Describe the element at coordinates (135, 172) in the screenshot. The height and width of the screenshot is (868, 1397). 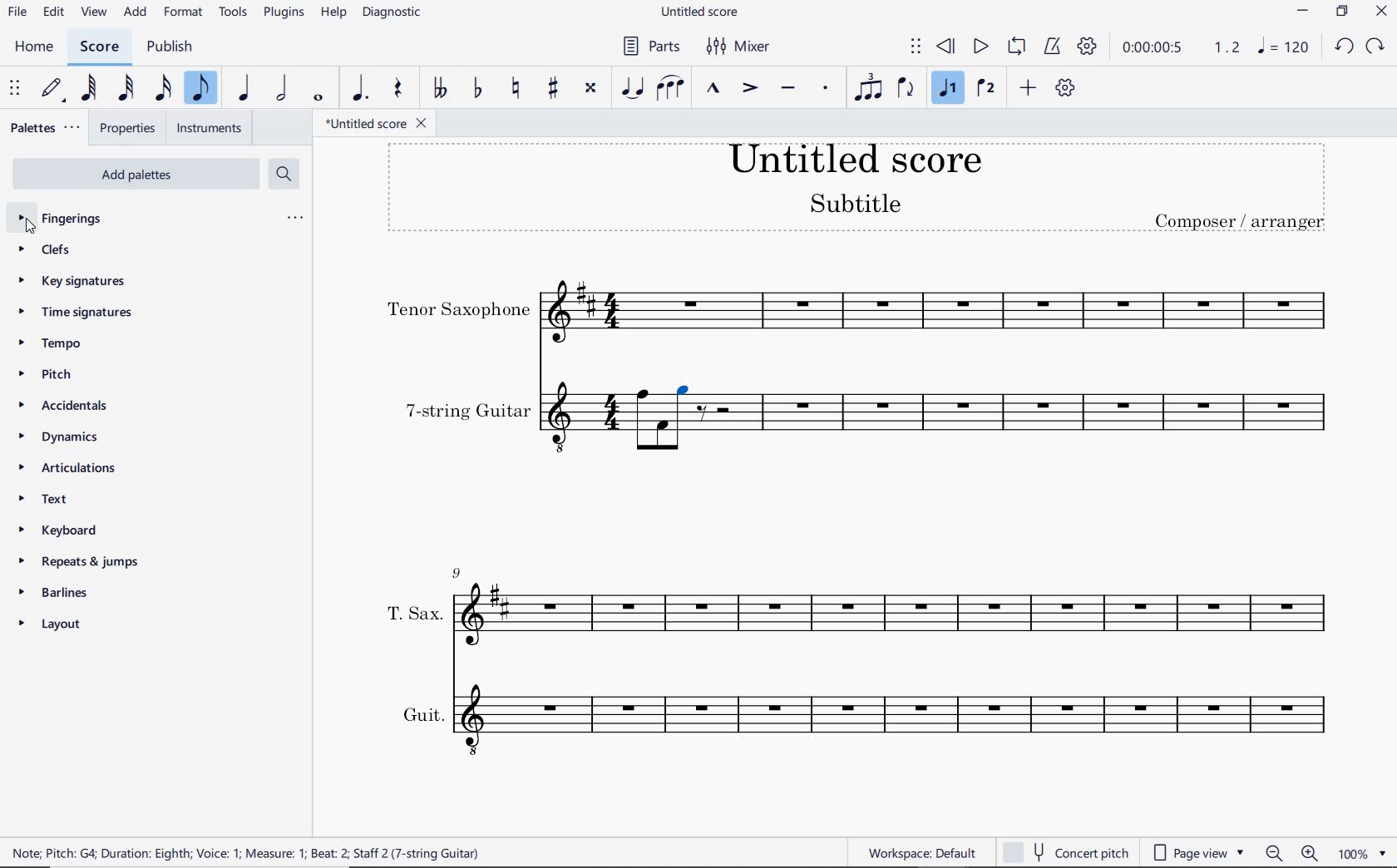
I see `ADD PALETTES` at that location.